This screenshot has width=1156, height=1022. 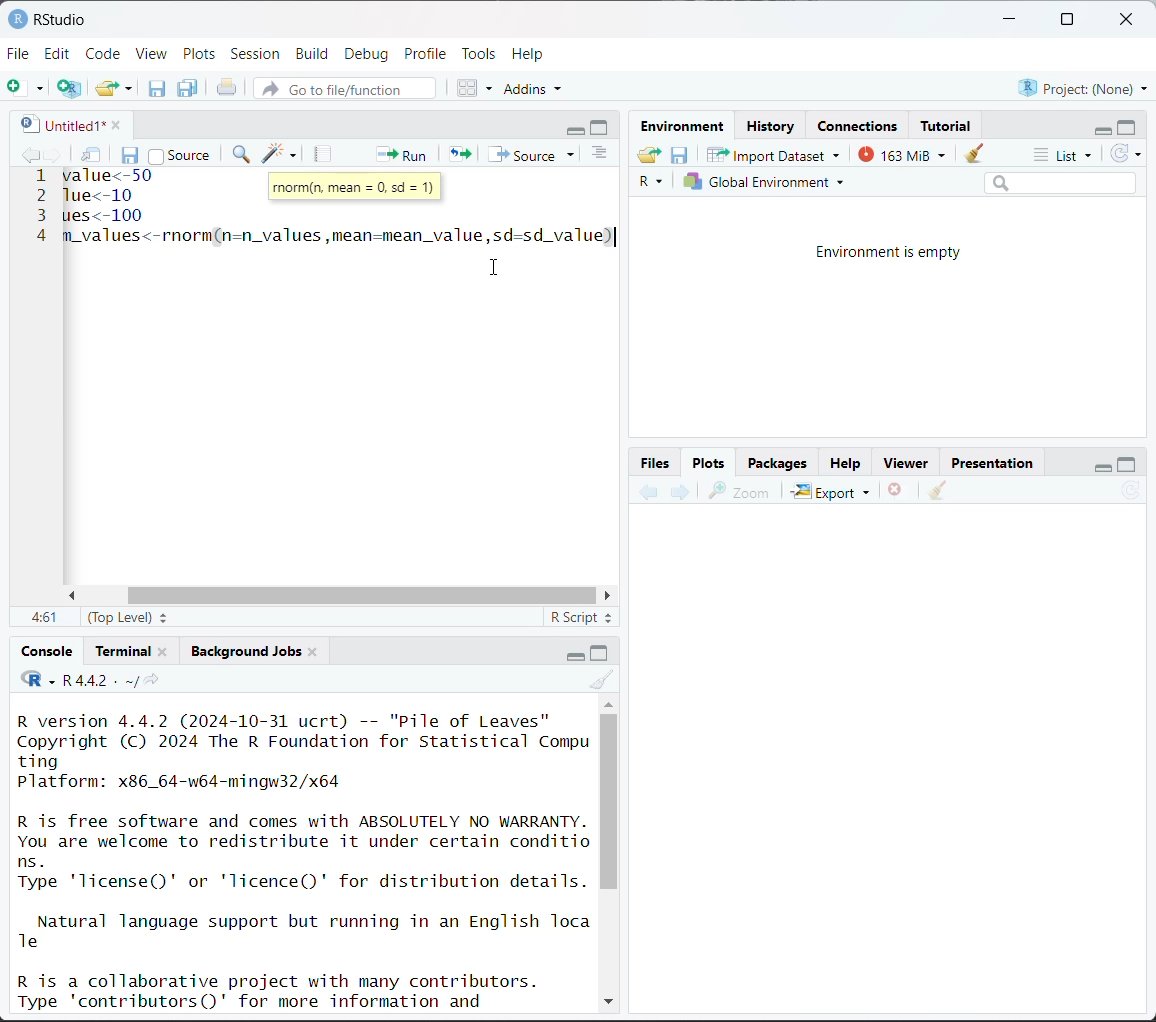 What do you see at coordinates (1127, 463) in the screenshot?
I see `maximize` at bounding box center [1127, 463].